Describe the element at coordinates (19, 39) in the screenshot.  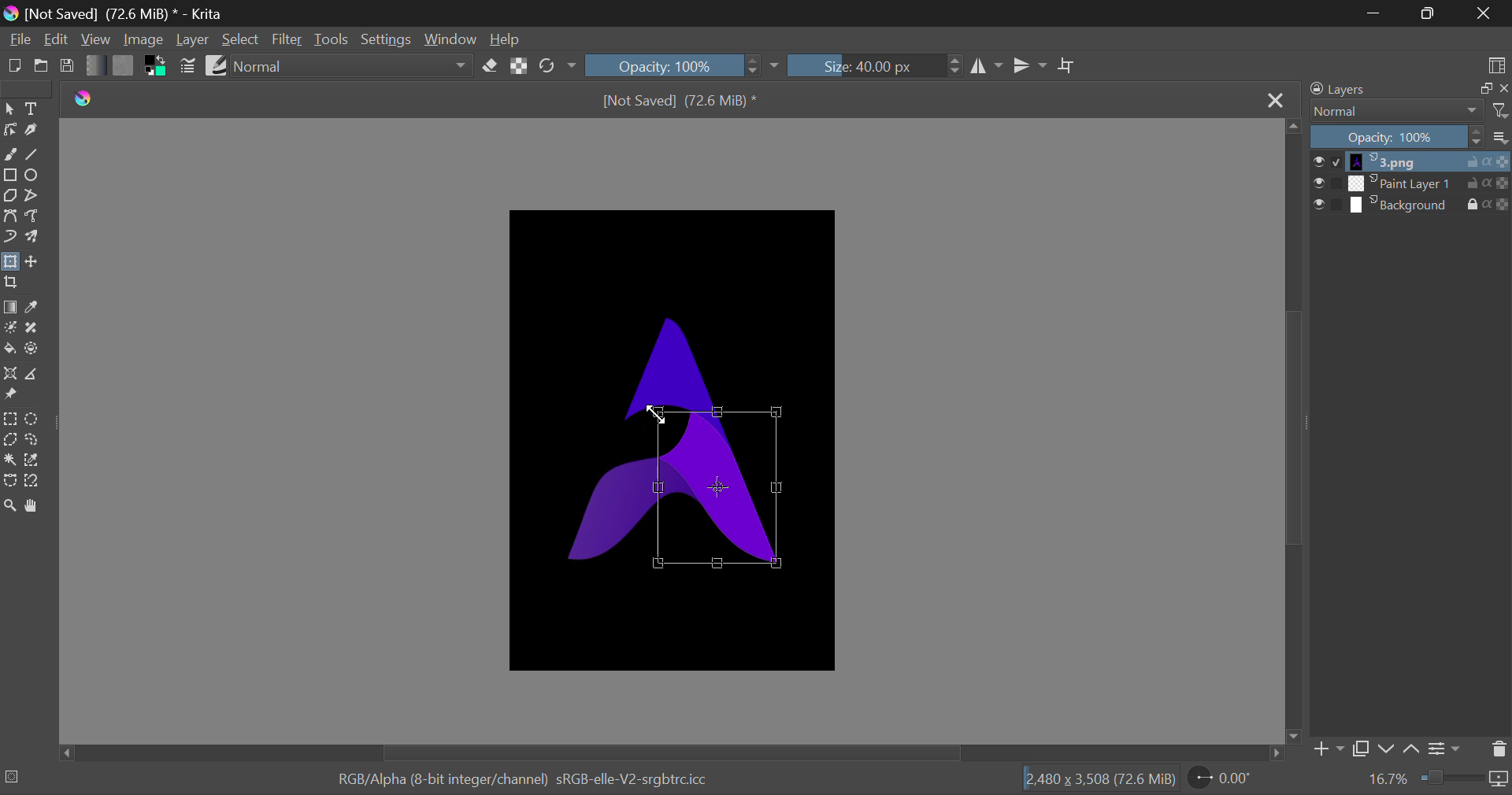
I see `File` at that location.